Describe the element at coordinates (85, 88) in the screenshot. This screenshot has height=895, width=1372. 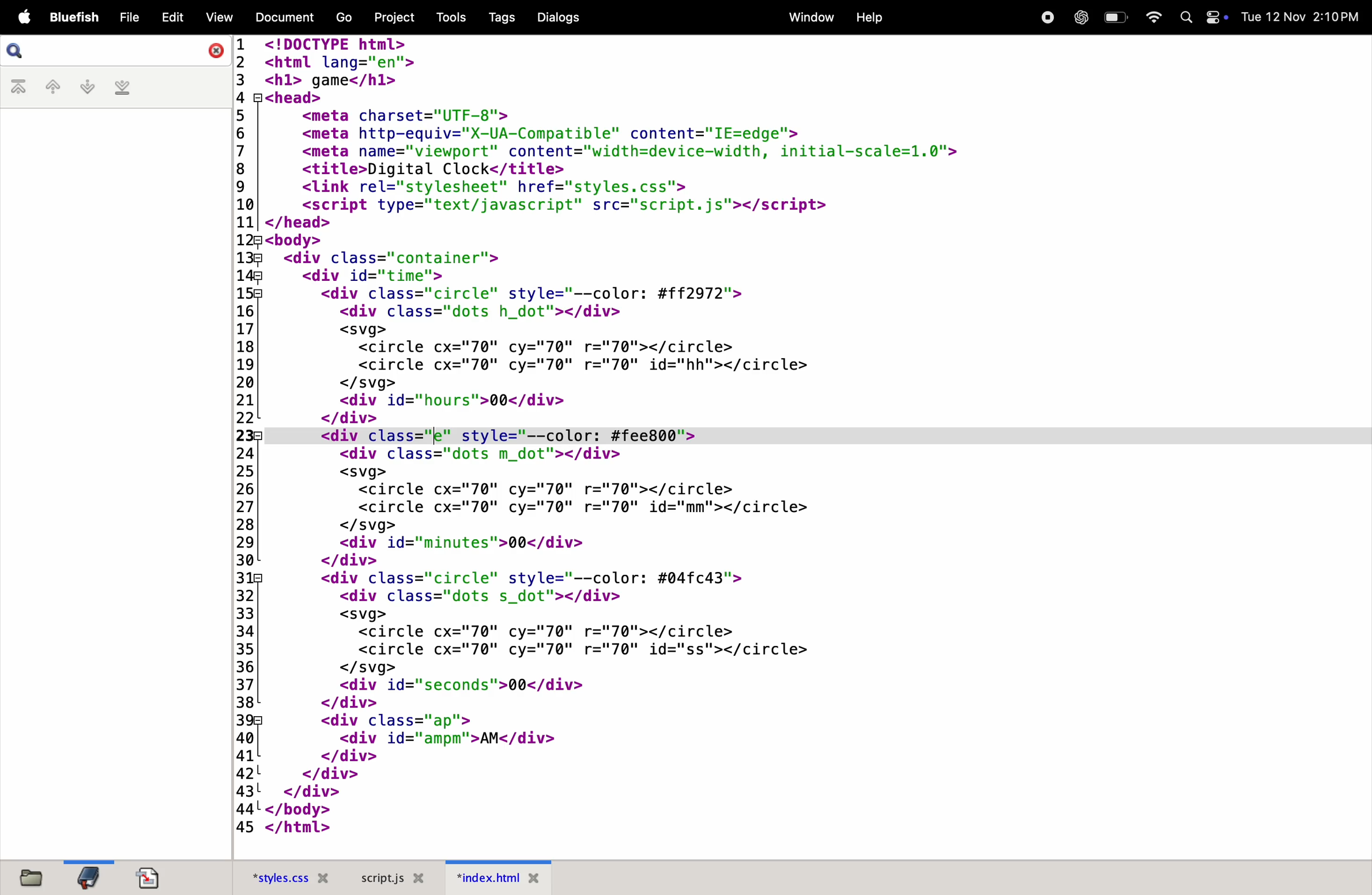
I see `nextbookmark` at that location.